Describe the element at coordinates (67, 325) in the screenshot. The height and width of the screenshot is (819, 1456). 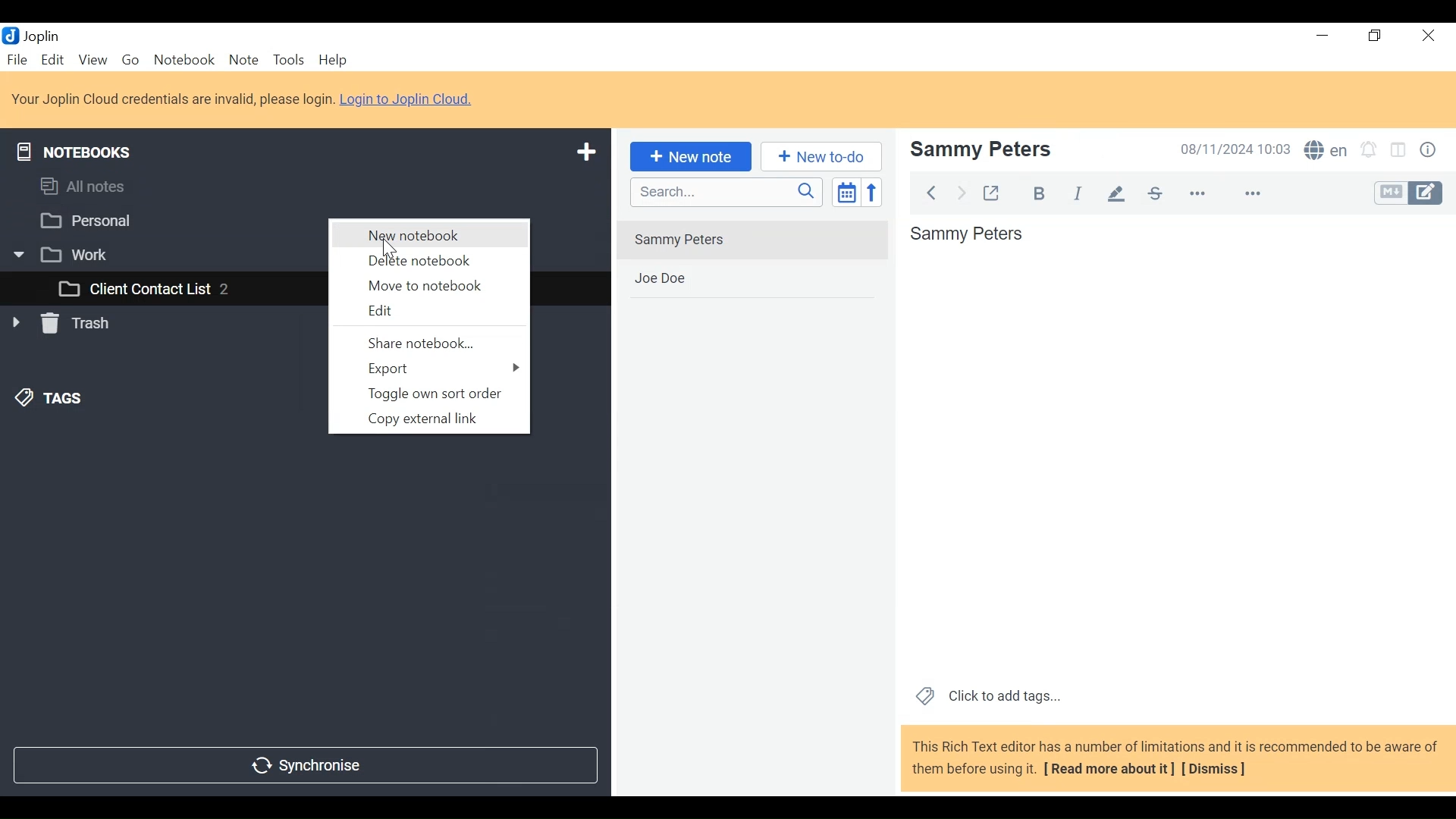
I see `Trash` at that location.